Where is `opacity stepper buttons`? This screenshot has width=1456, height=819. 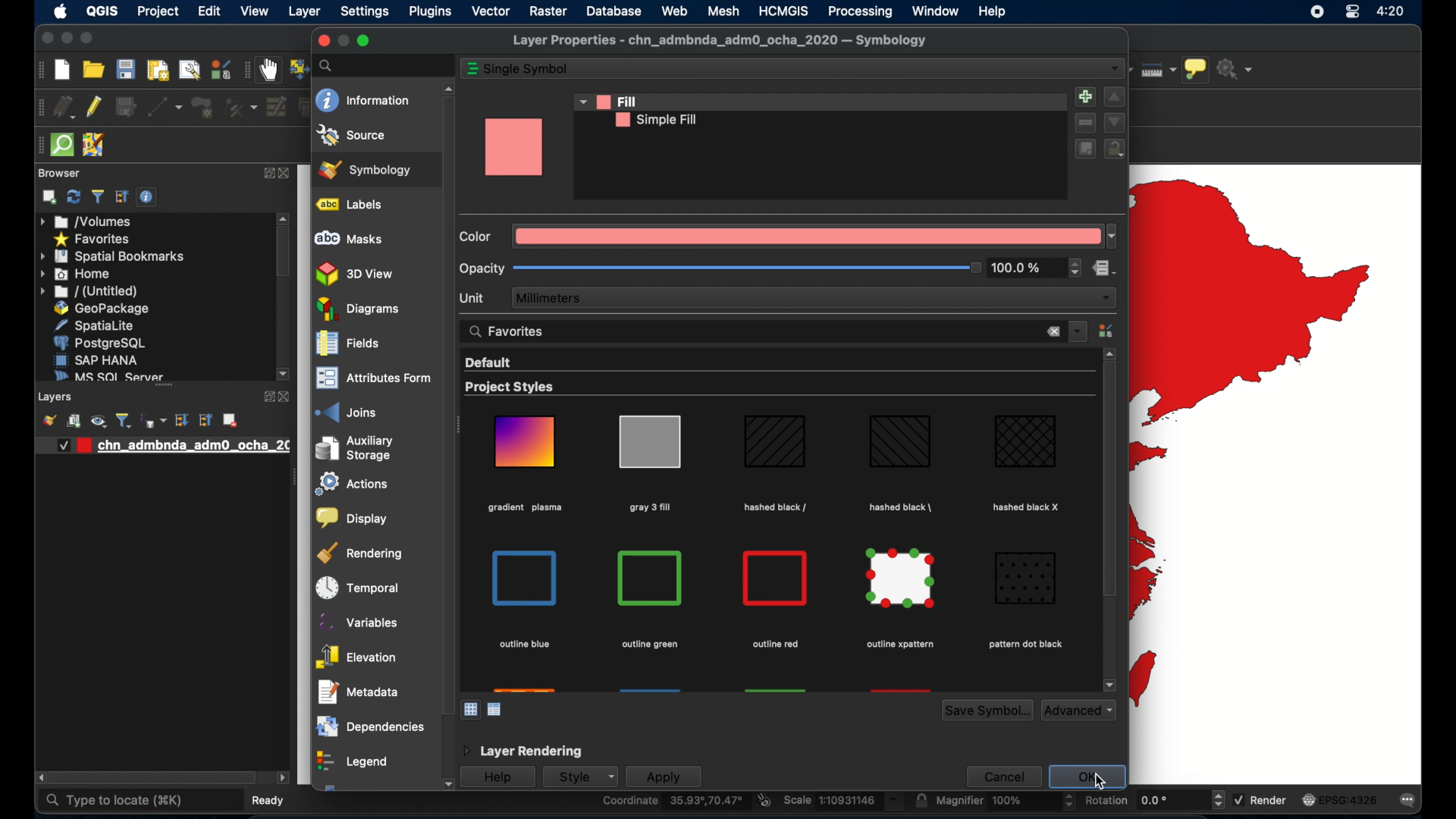
opacity stepper buttons is located at coordinates (1037, 268).